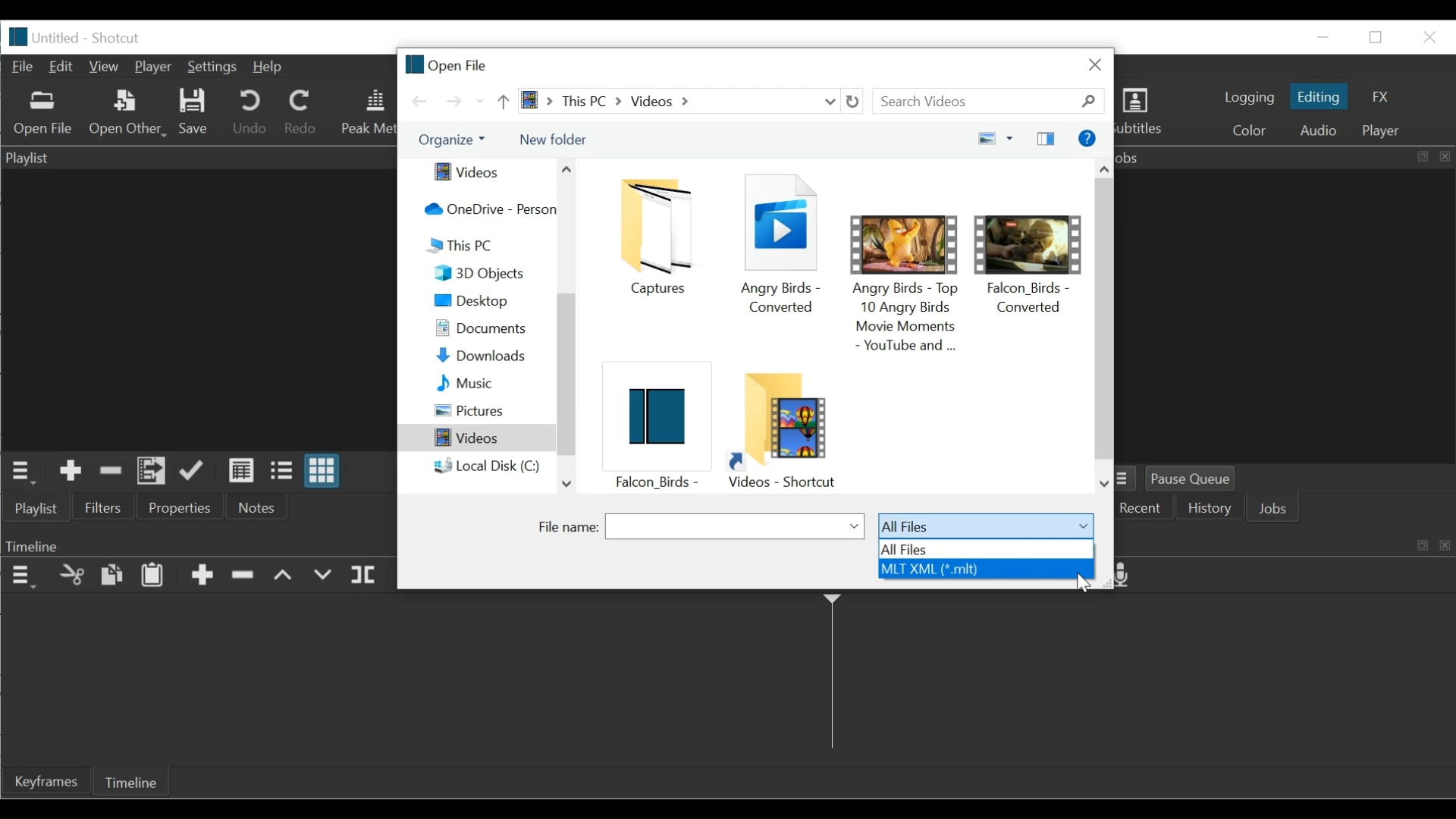 The height and width of the screenshot is (819, 1456). Describe the element at coordinates (192, 114) in the screenshot. I see `Save` at that location.